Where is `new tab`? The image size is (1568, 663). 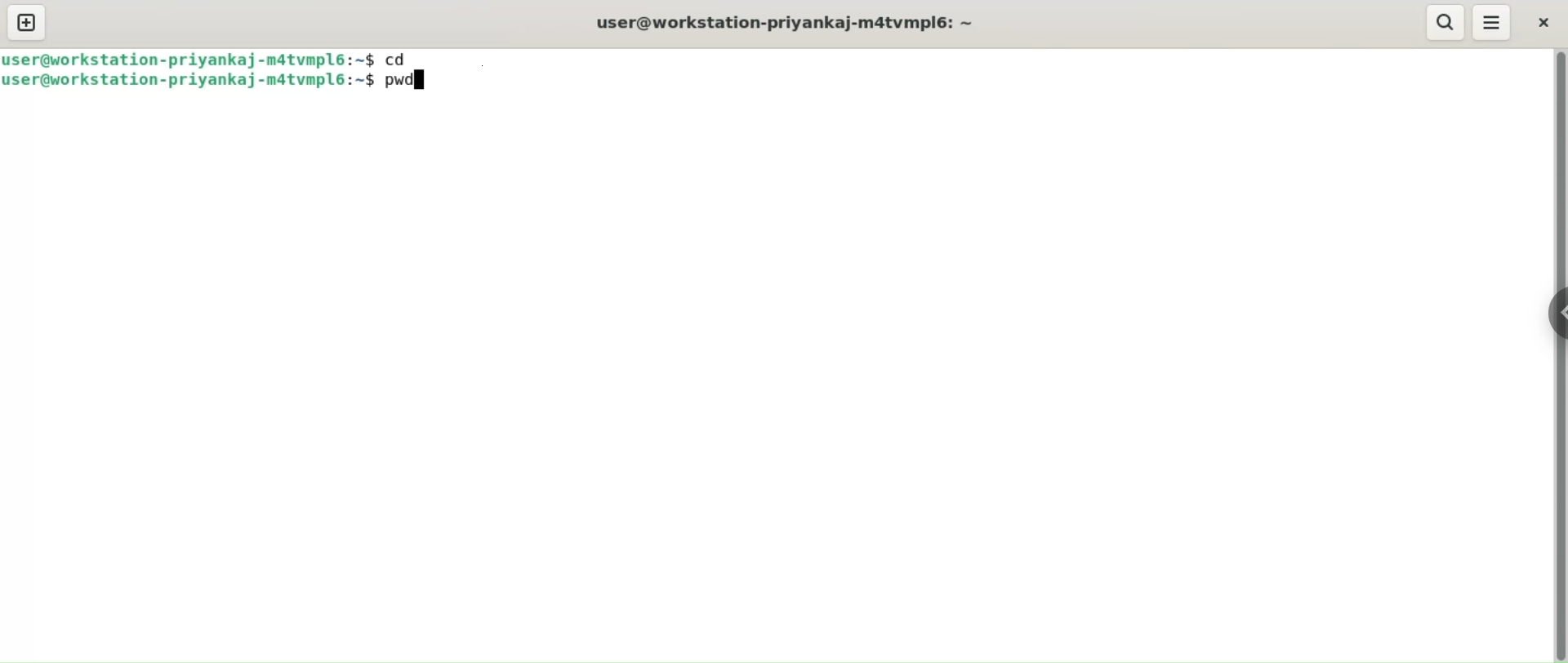 new tab is located at coordinates (27, 23).